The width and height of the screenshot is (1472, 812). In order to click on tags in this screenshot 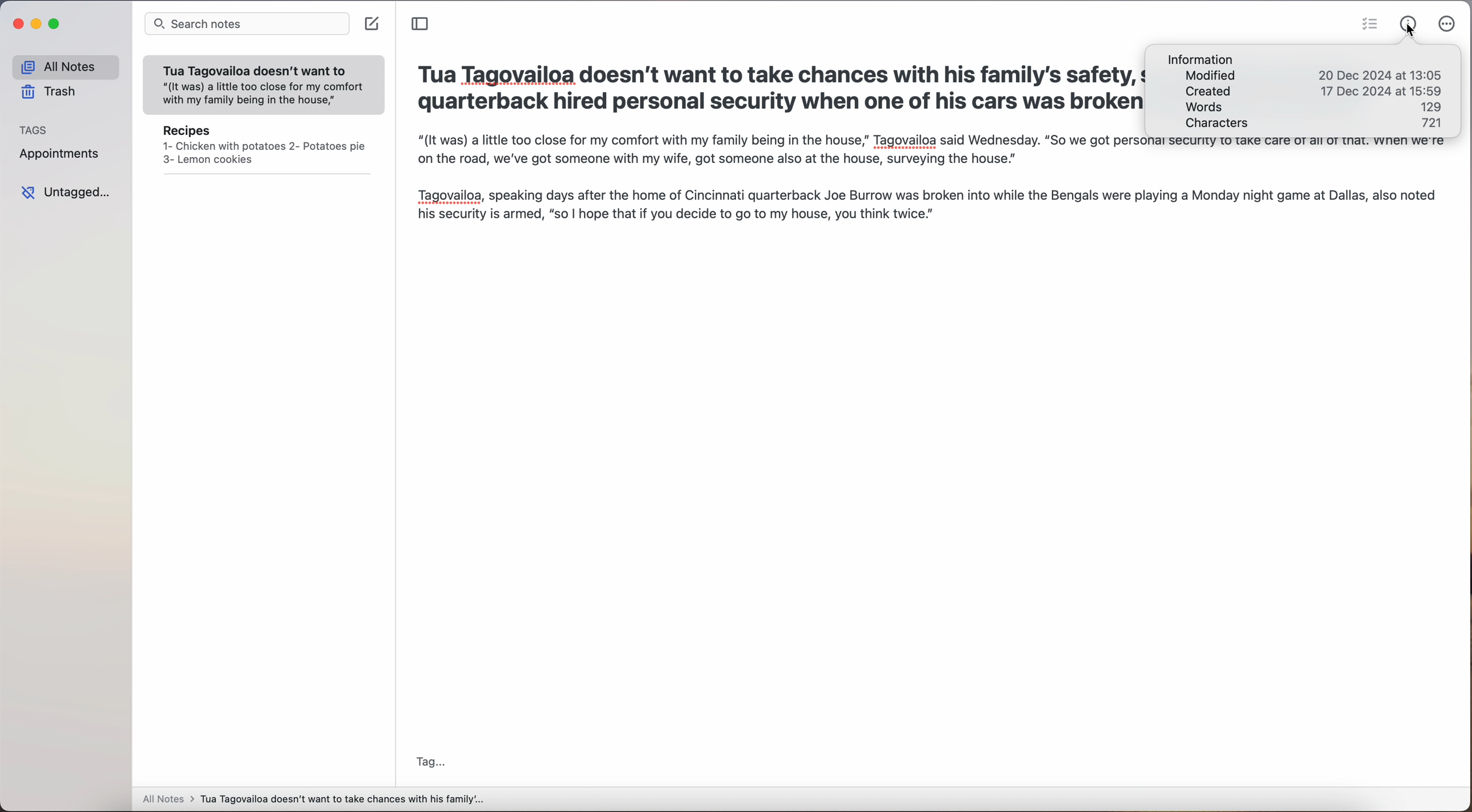, I will do `click(38, 130)`.